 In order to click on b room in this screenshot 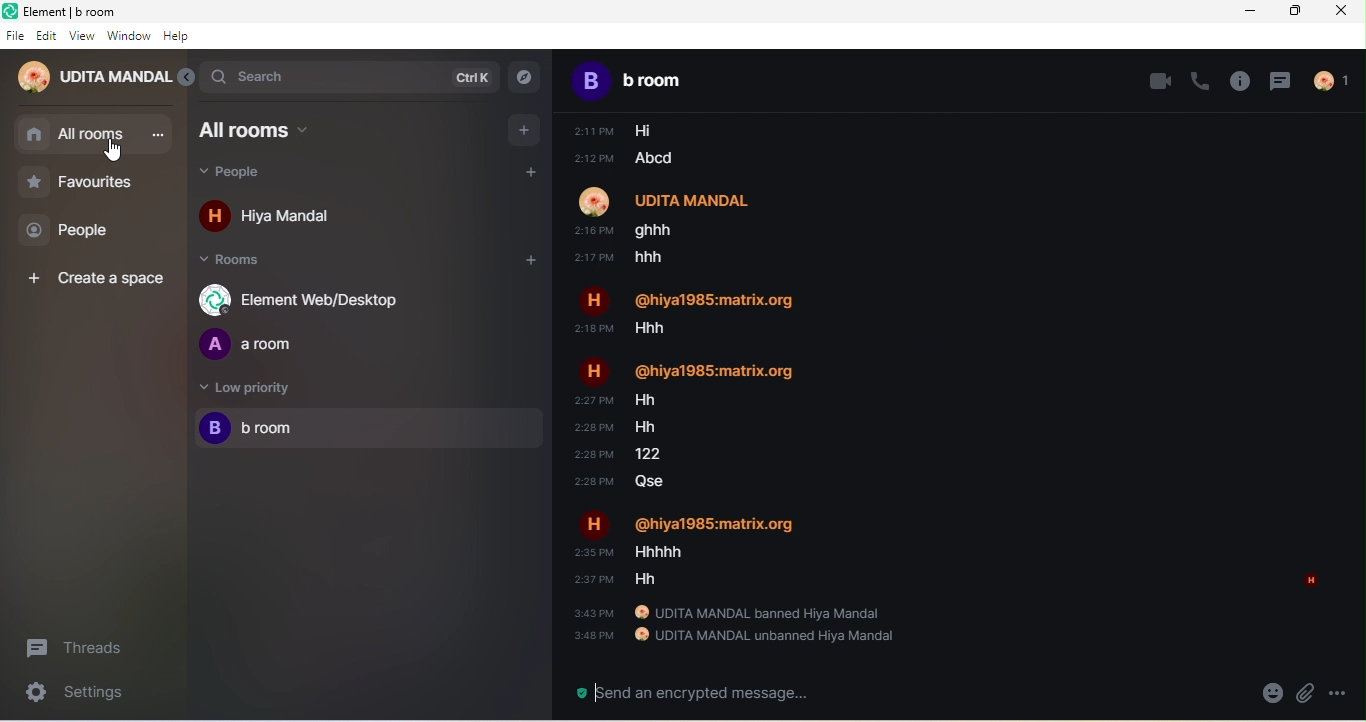, I will do `click(656, 79)`.